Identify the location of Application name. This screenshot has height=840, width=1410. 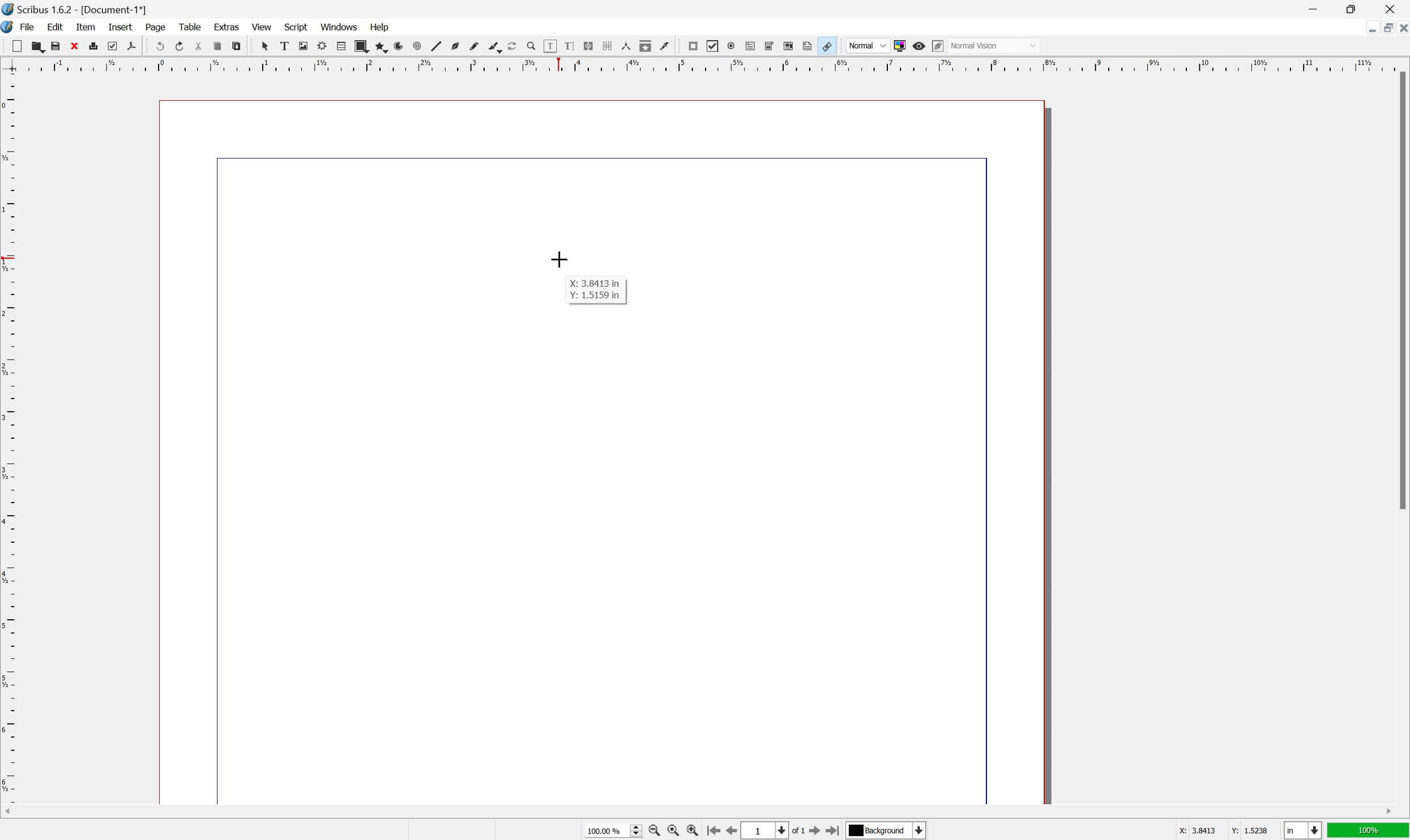
(75, 9).